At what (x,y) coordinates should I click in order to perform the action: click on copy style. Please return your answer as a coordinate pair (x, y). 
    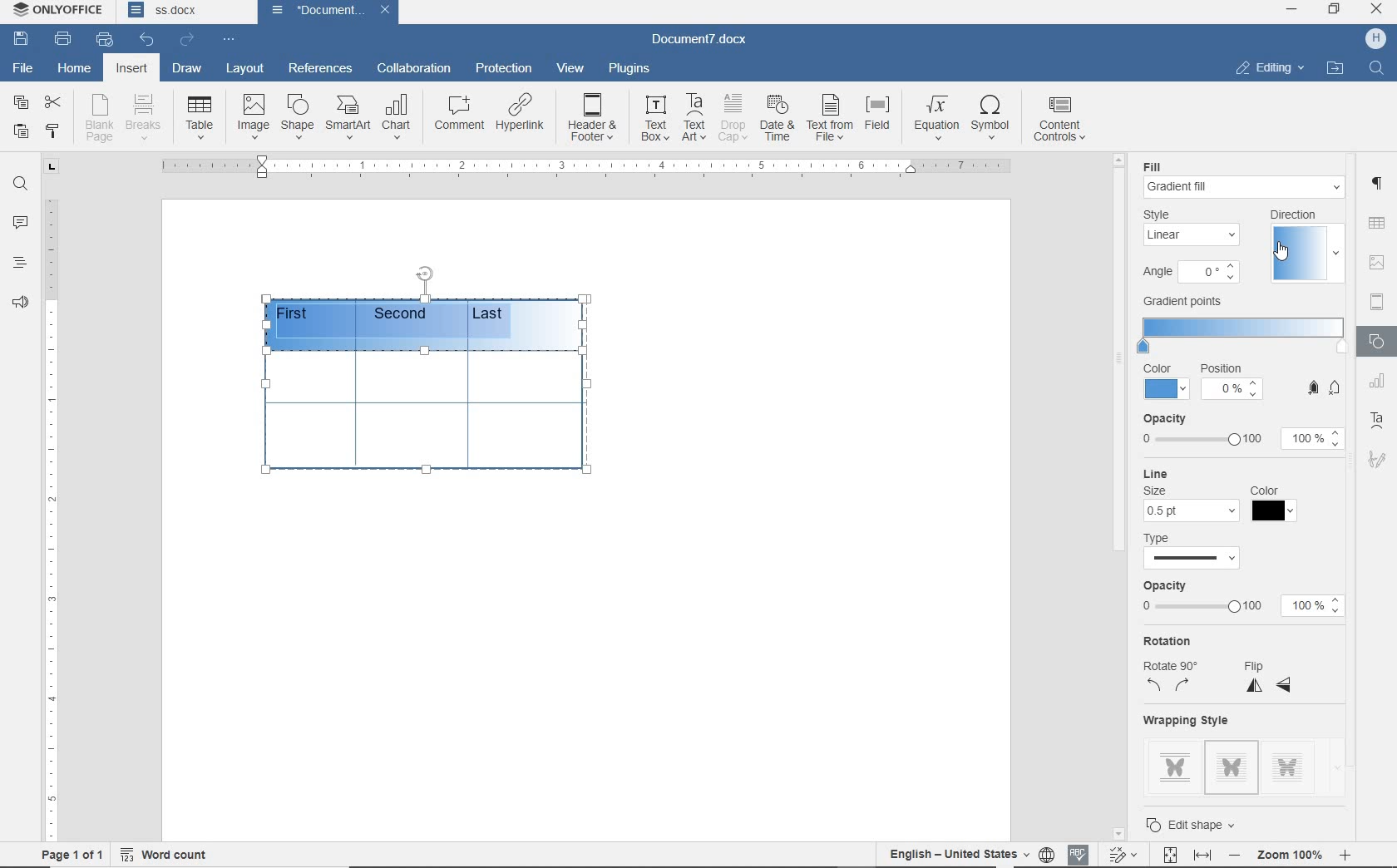
    Looking at the image, I should click on (51, 131).